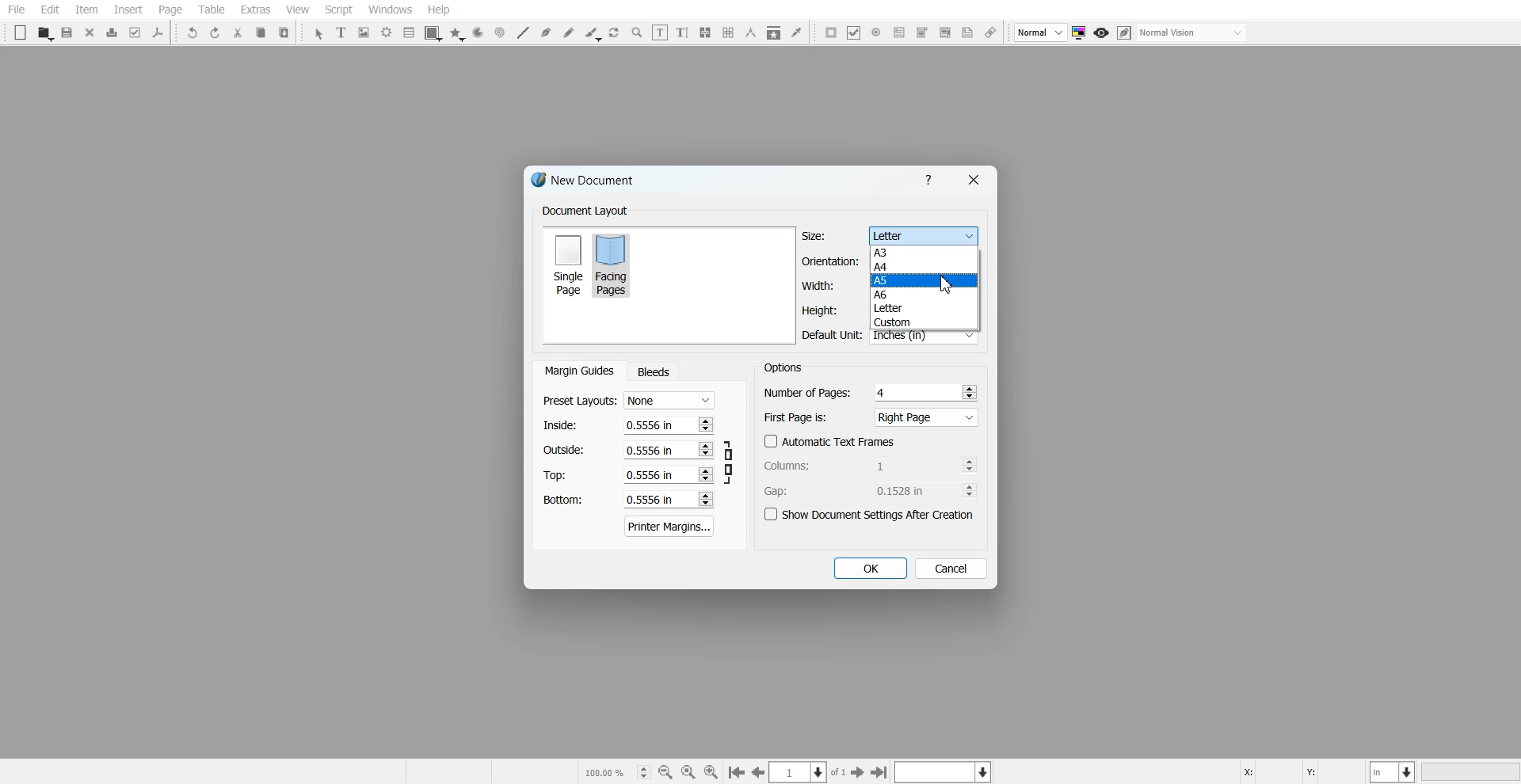  Describe the element at coordinates (614, 265) in the screenshot. I see `Facing Pages` at that location.